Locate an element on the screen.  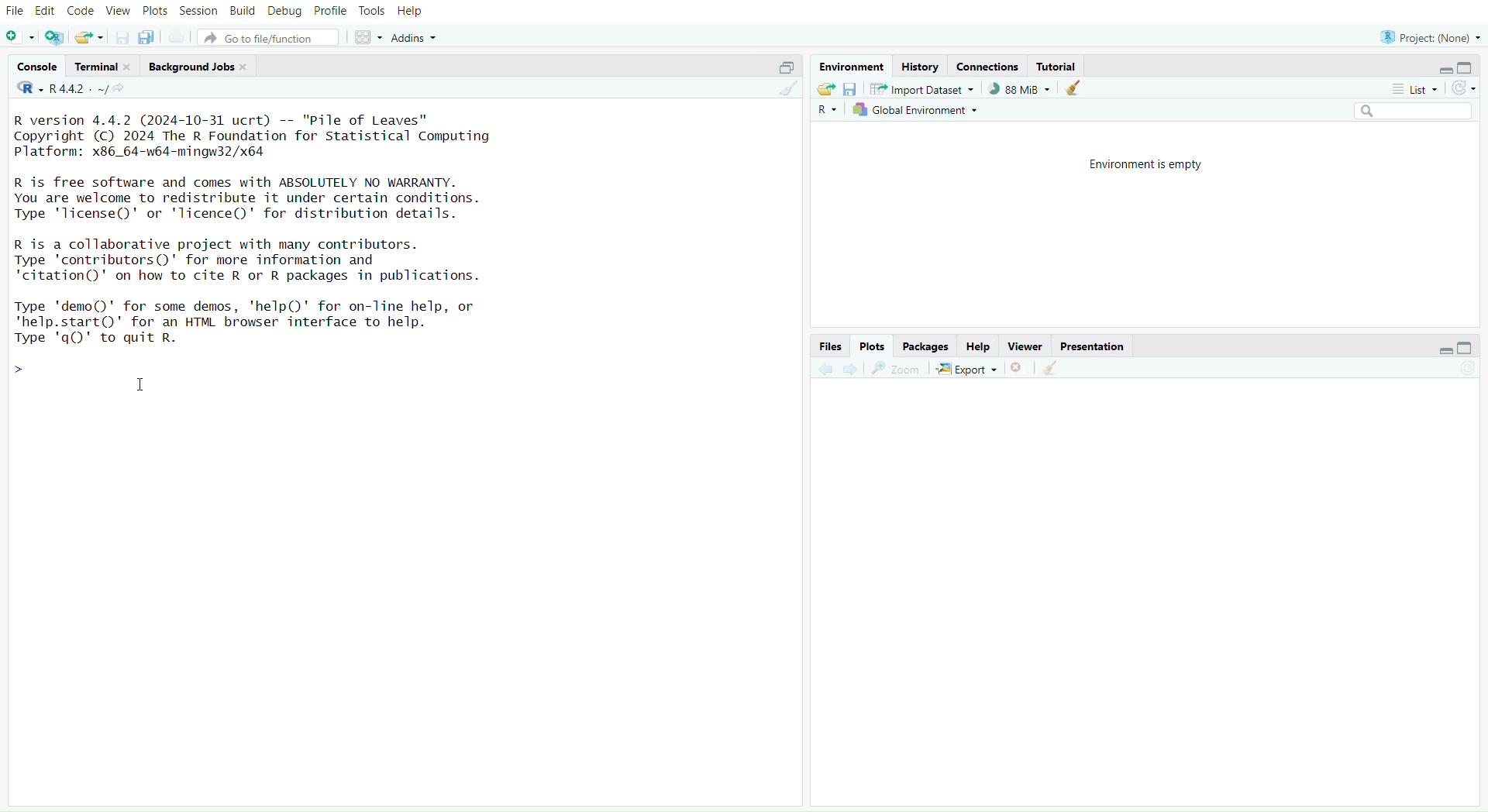
backward is located at coordinates (825, 368).